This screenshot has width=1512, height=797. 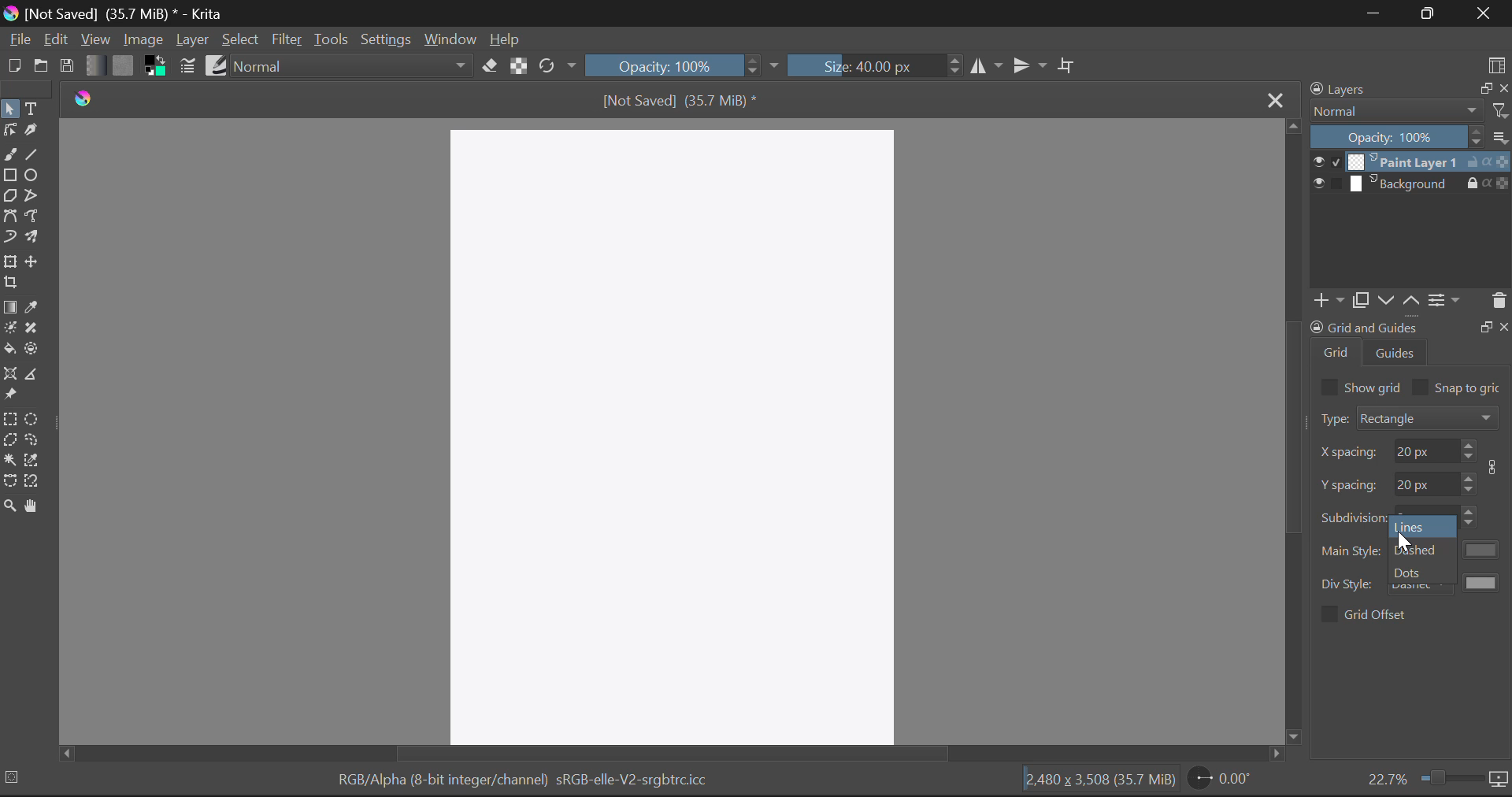 What do you see at coordinates (519, 65) in the screenshot?
I see `Lock Alpha` at bounding box center [519, 65].